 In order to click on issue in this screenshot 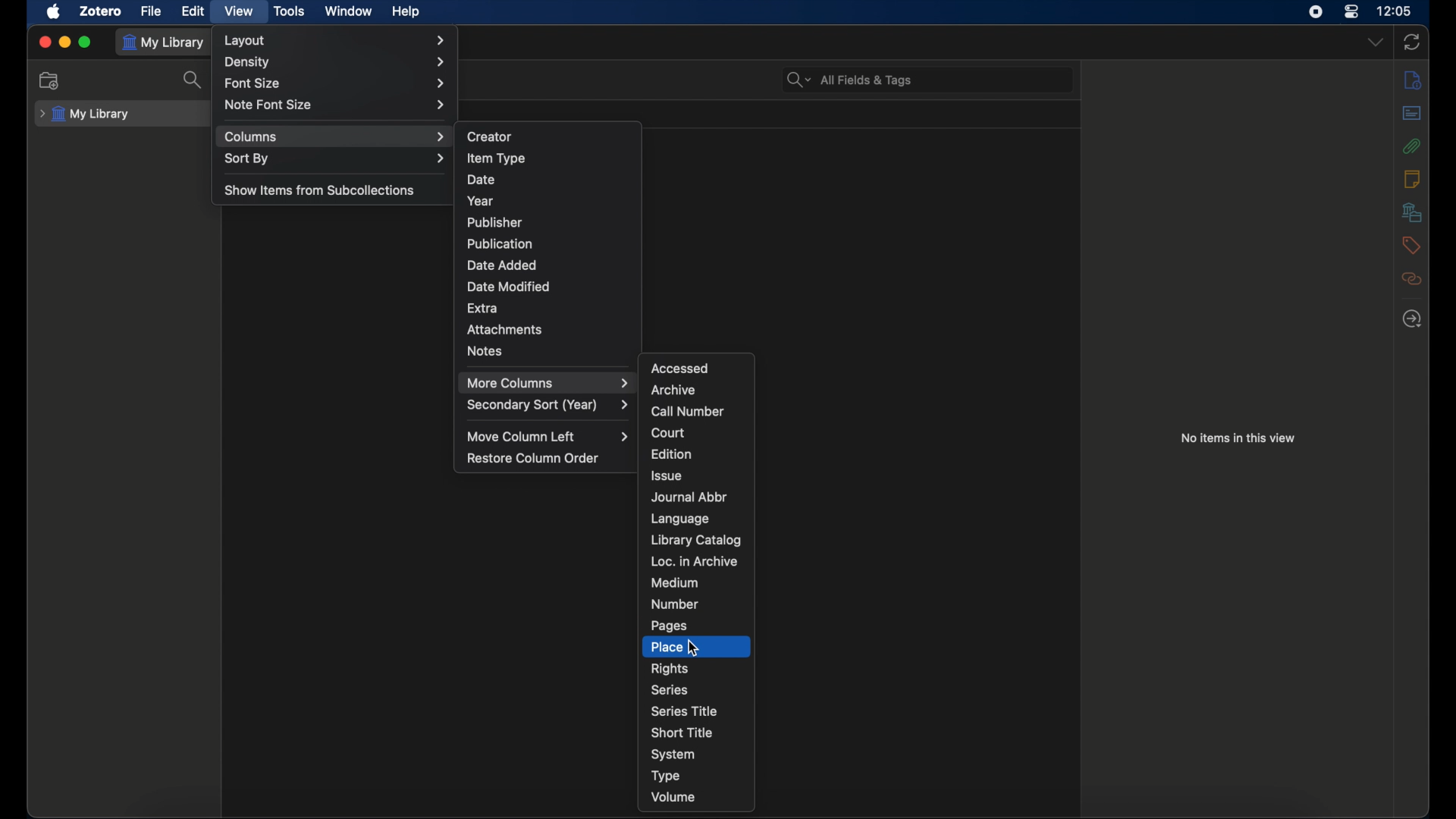, I will do `click(666, 475)`.